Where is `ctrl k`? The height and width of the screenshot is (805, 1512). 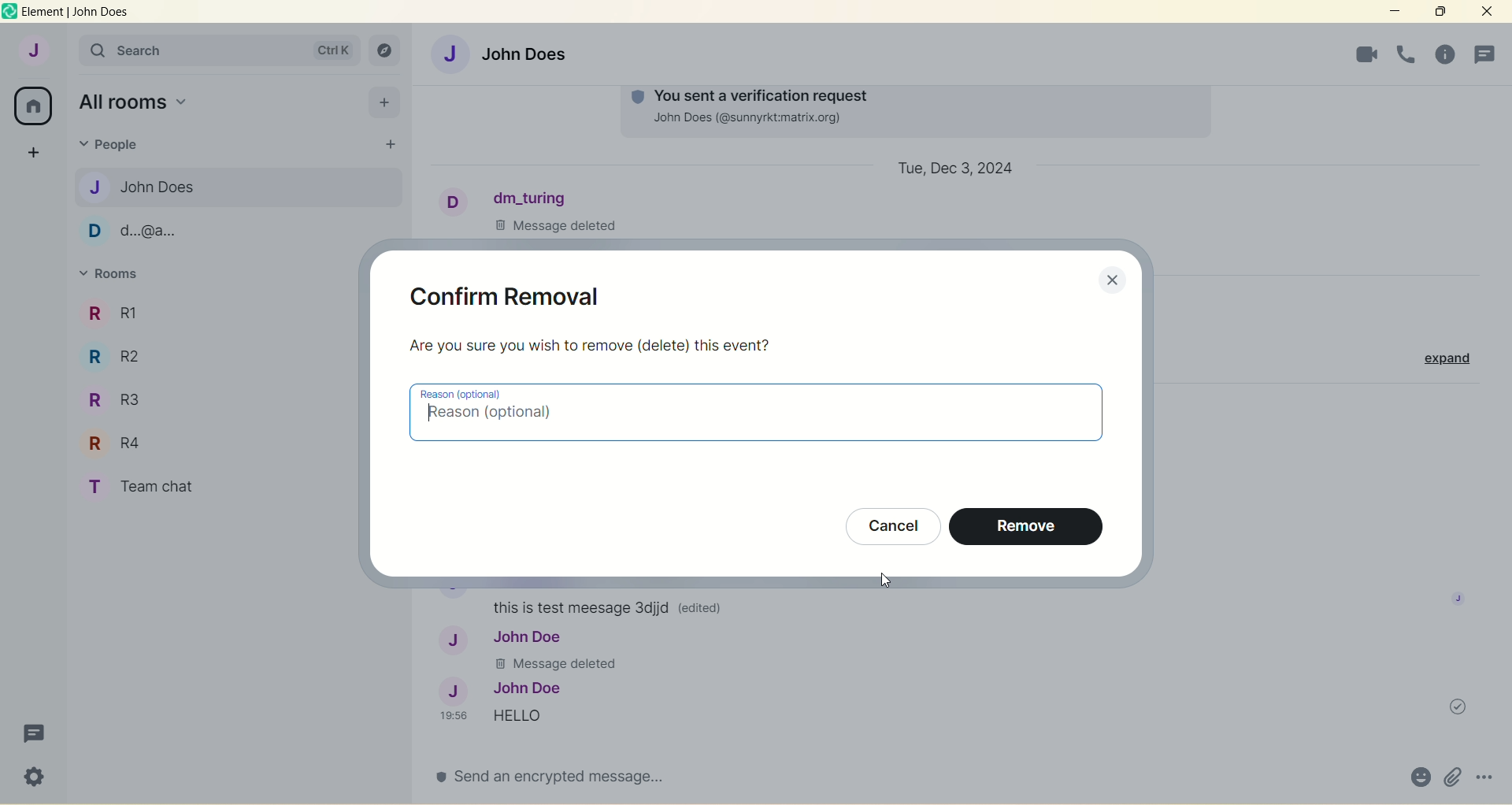
ctrl k is located at coordinates (330, 46).